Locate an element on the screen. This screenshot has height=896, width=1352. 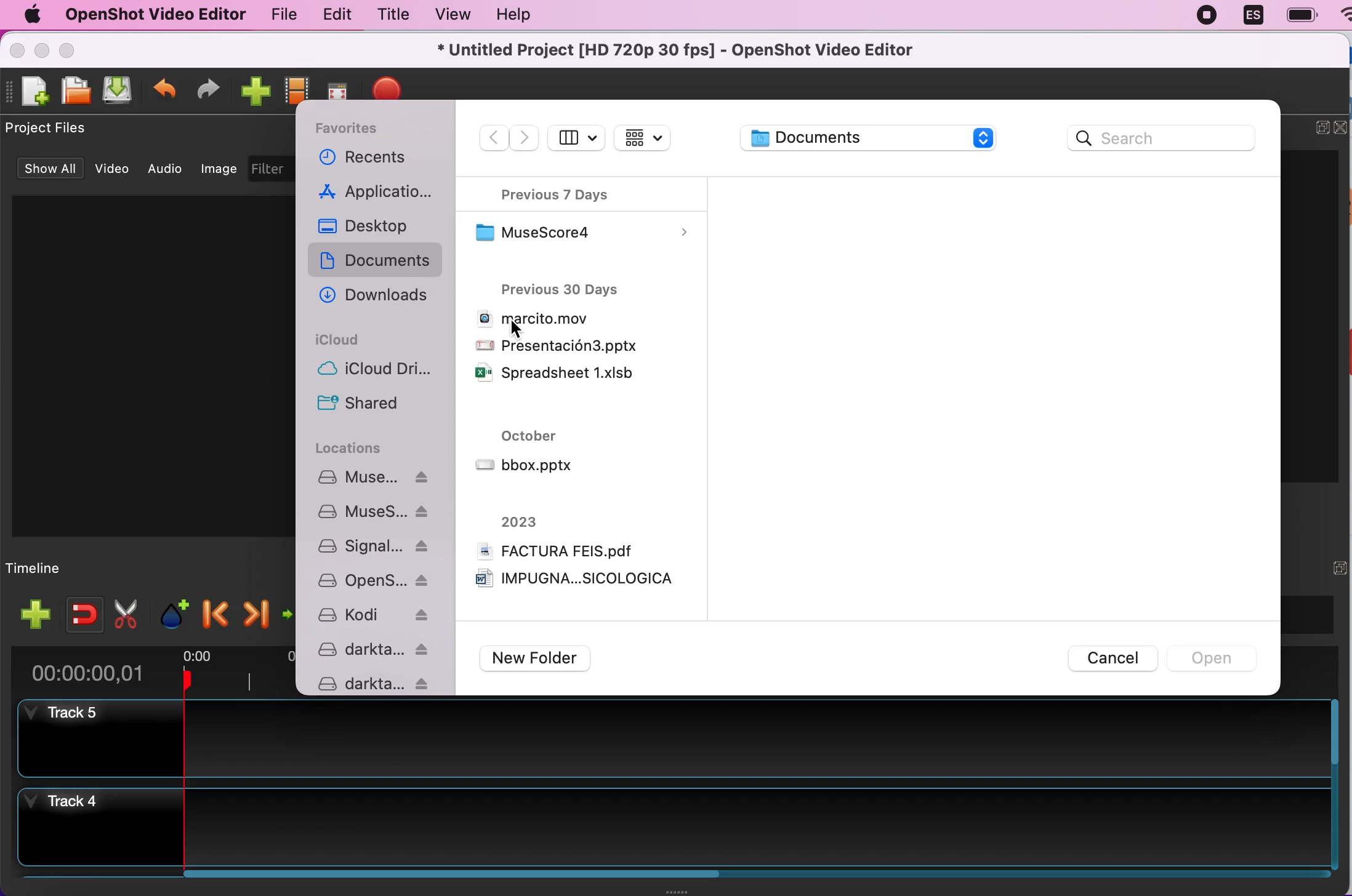
previous 7 days is located at coordinates (574, 193).